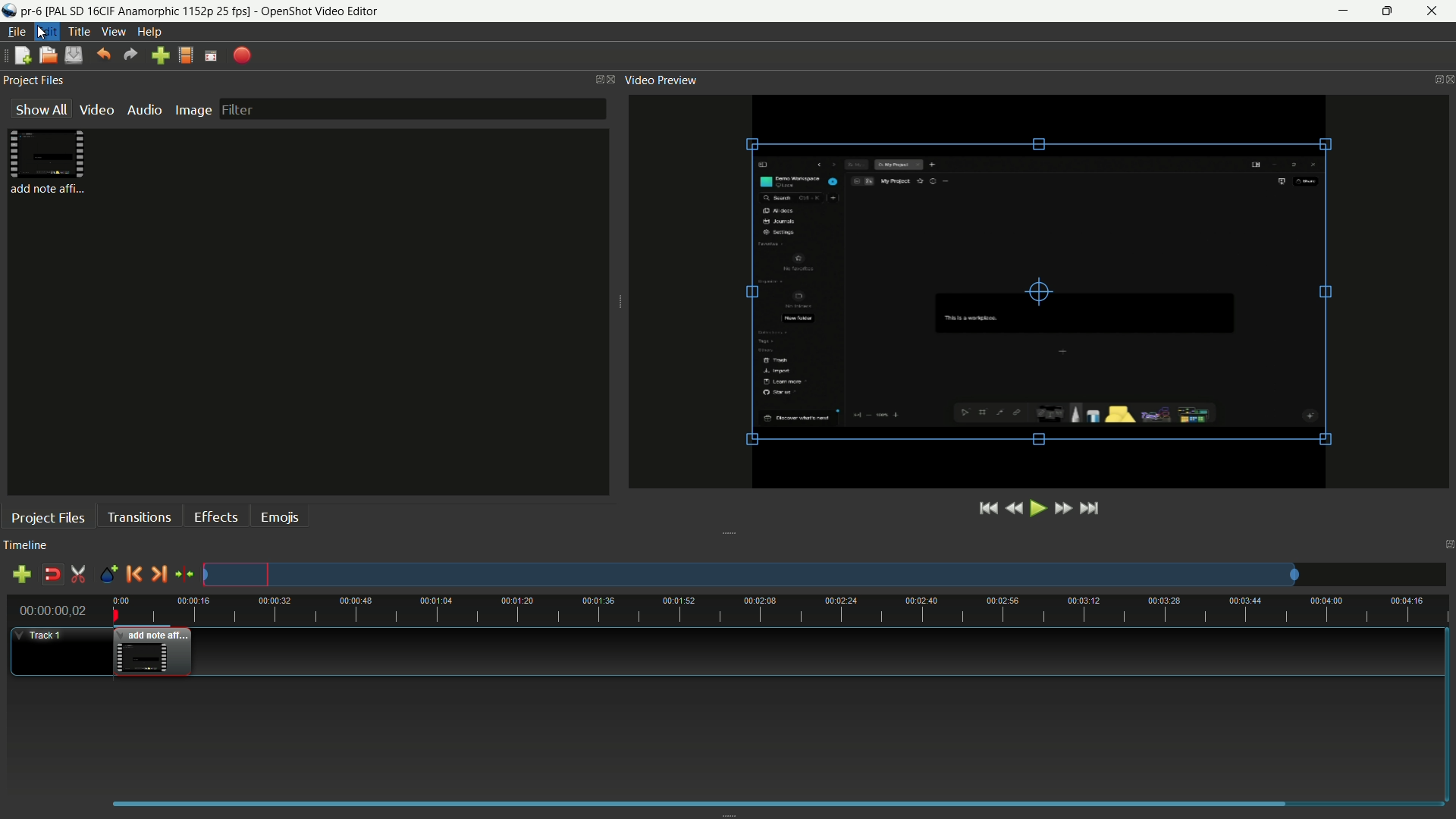  What do you see at coordinates (22, 56) in the screenshot?
I see `new file` at bounding box center [22, 56].